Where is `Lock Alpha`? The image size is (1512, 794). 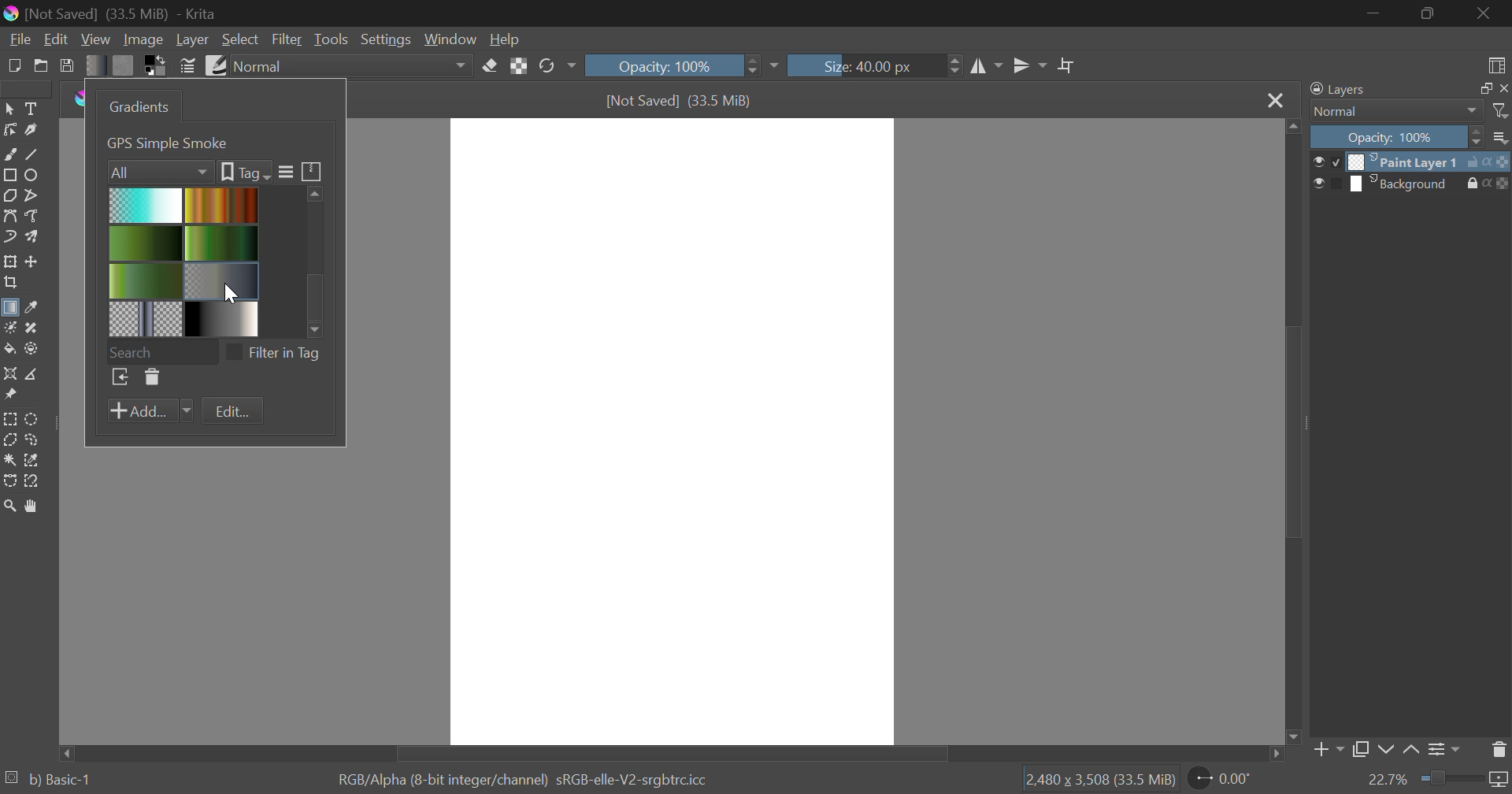
Lock Alpha is located at coordinates (518, 66).